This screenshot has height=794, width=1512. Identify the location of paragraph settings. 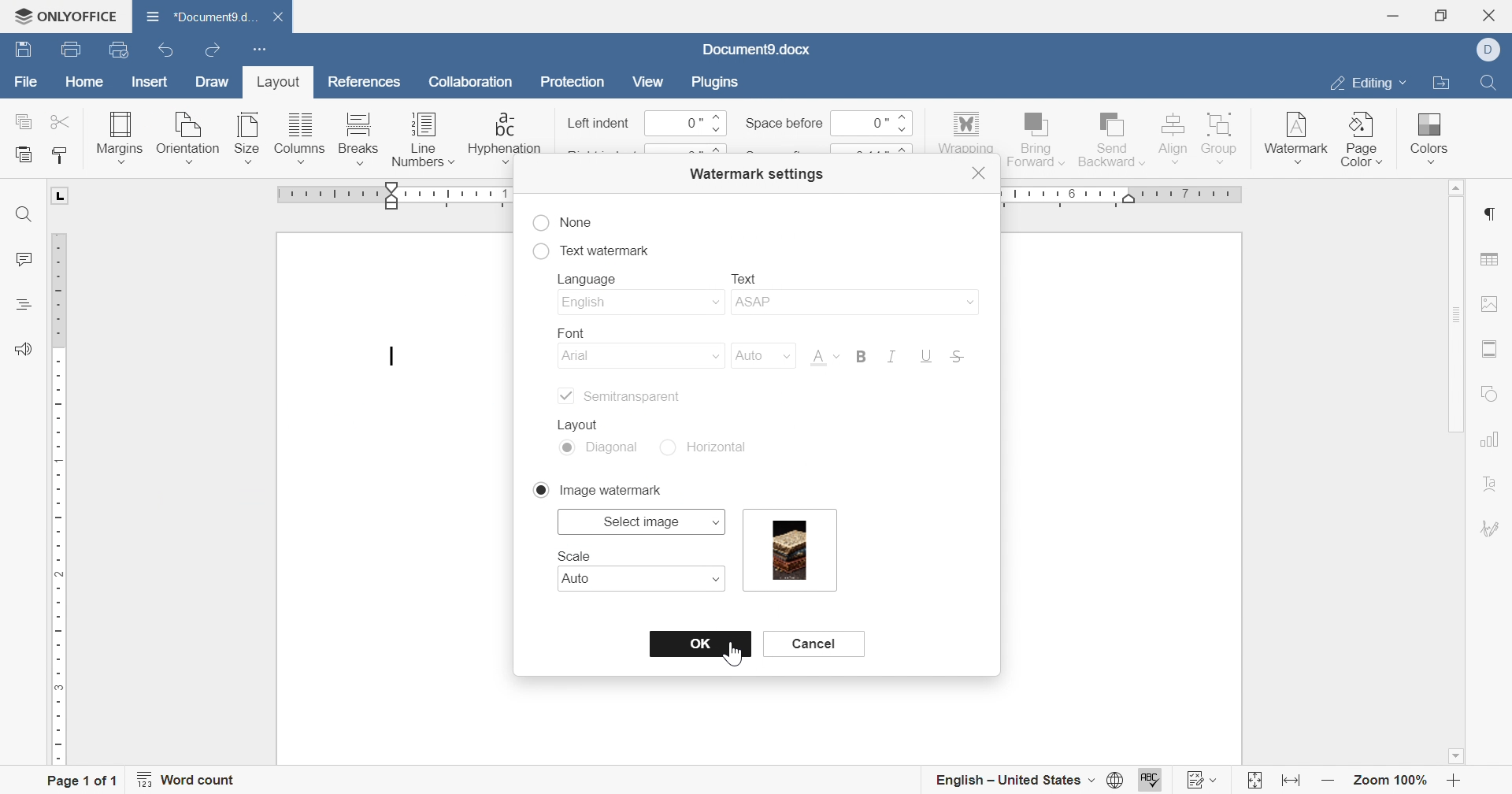
(1488, 214).